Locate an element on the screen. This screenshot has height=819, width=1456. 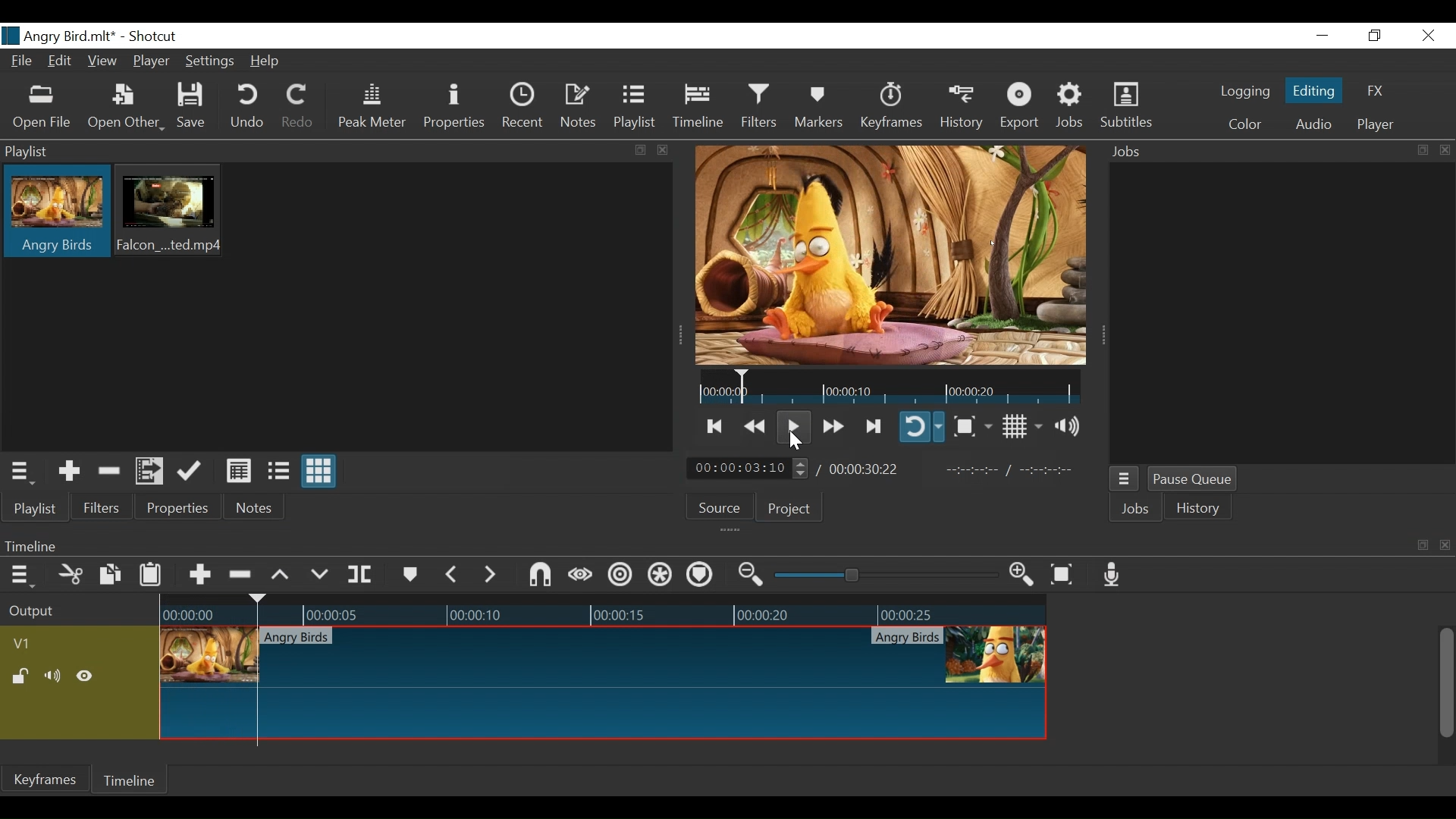
(un)lock track is located at coordinates (20, 679).